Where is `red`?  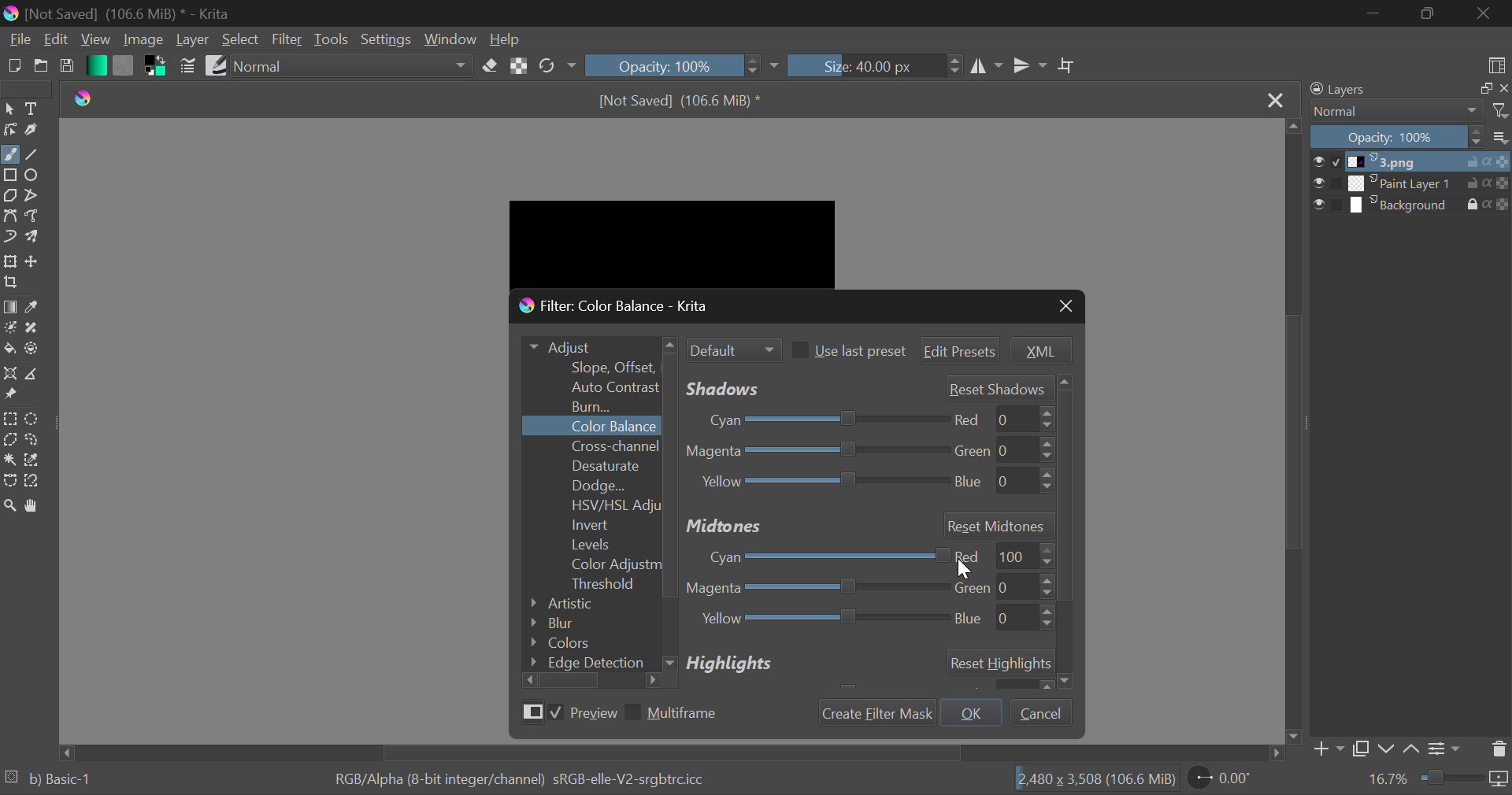
red is located at coordinates (1003, 556).